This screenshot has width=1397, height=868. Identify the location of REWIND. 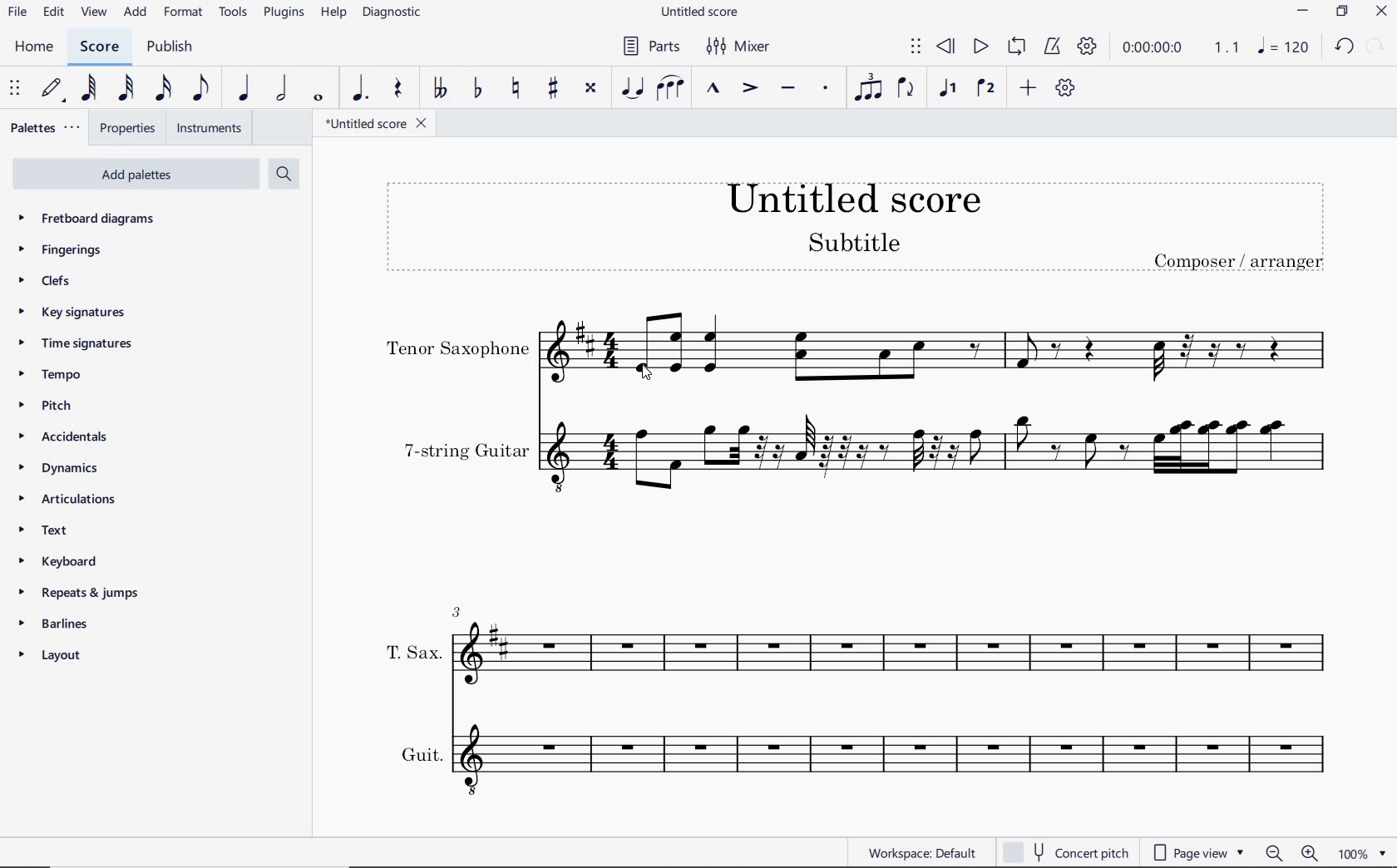
(949, 45).